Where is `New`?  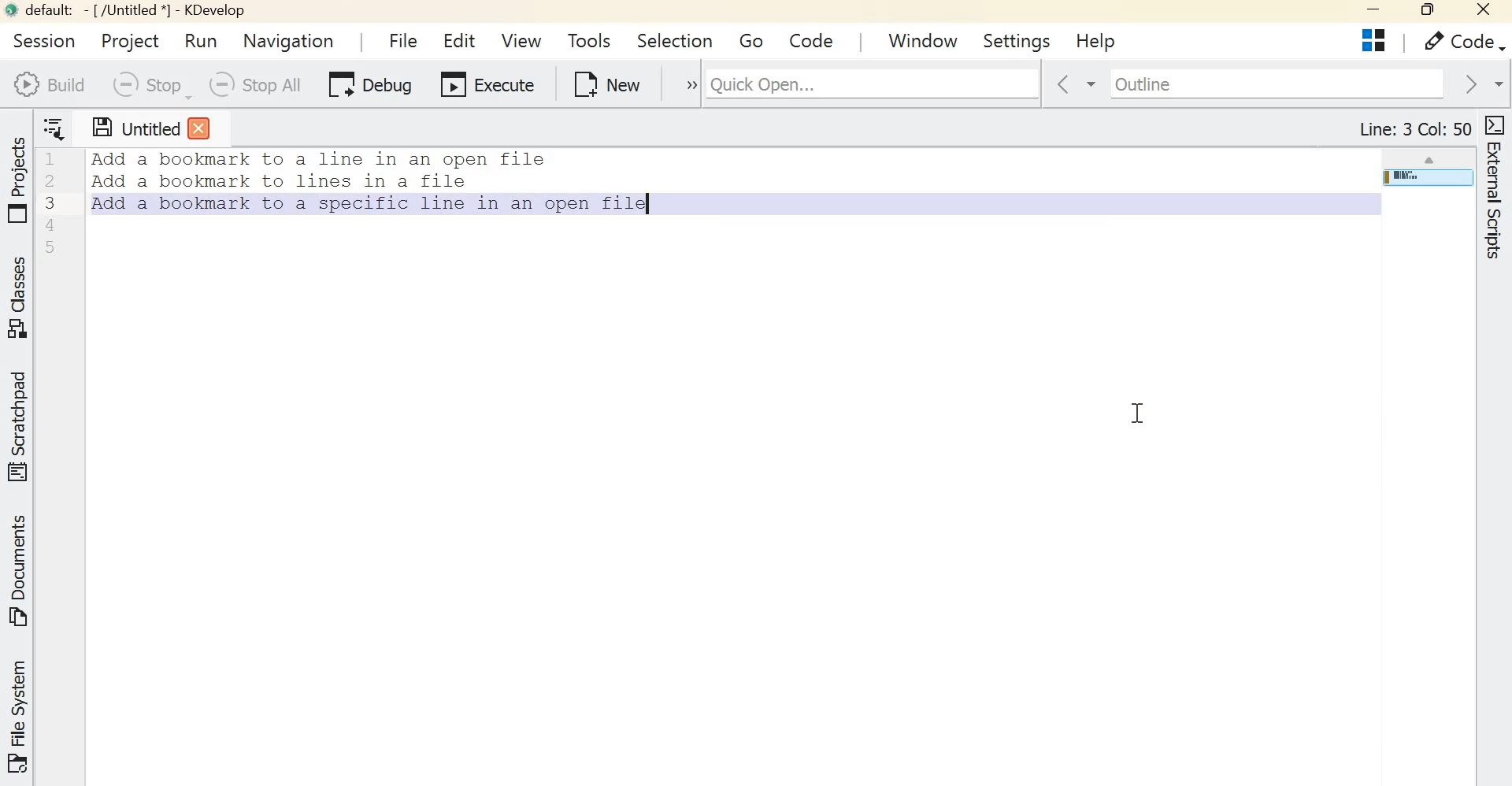
New is located at coordinates (604, 82).